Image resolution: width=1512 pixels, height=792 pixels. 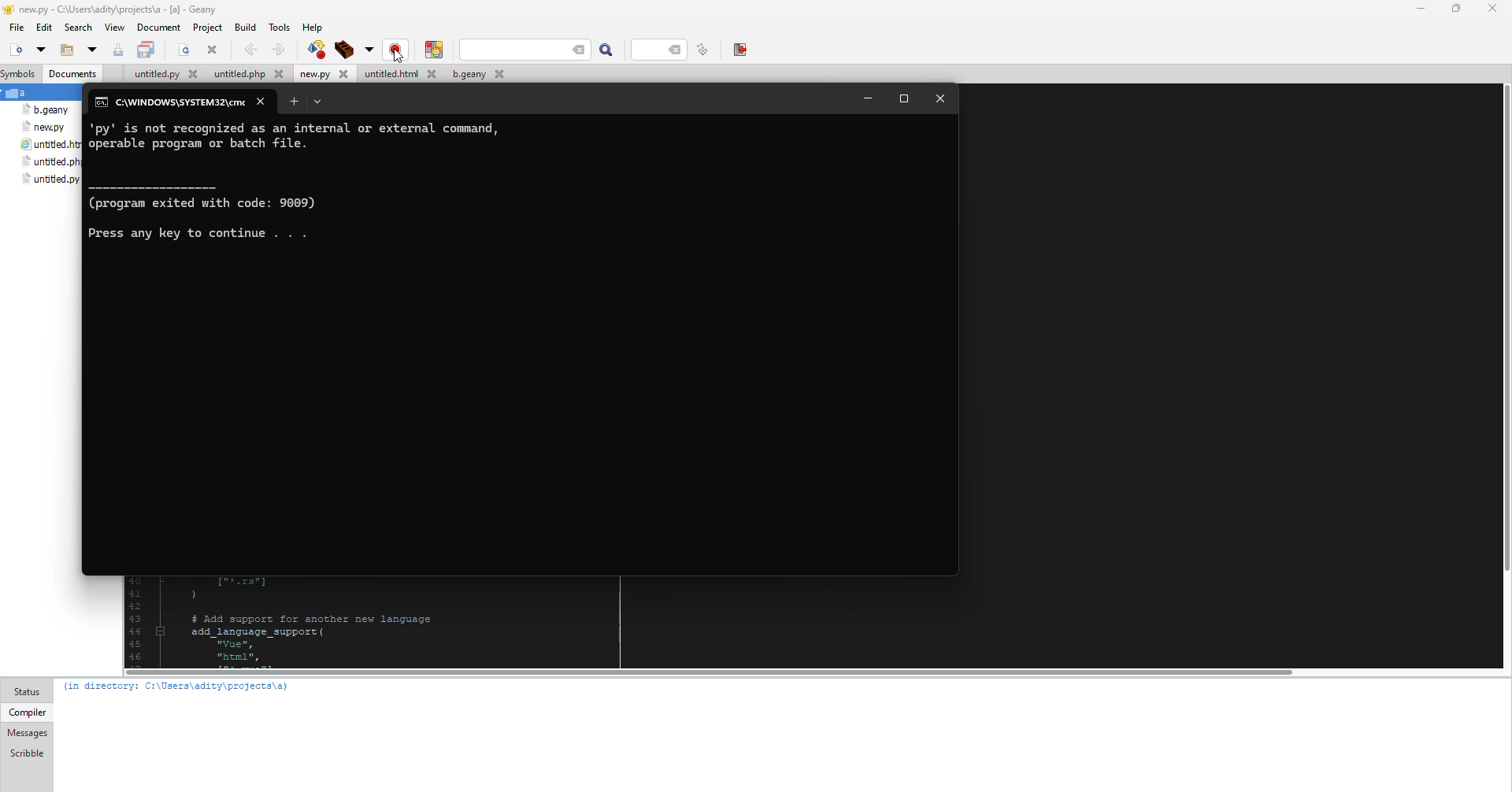 I want to click on file, so click(x=52, y=179).